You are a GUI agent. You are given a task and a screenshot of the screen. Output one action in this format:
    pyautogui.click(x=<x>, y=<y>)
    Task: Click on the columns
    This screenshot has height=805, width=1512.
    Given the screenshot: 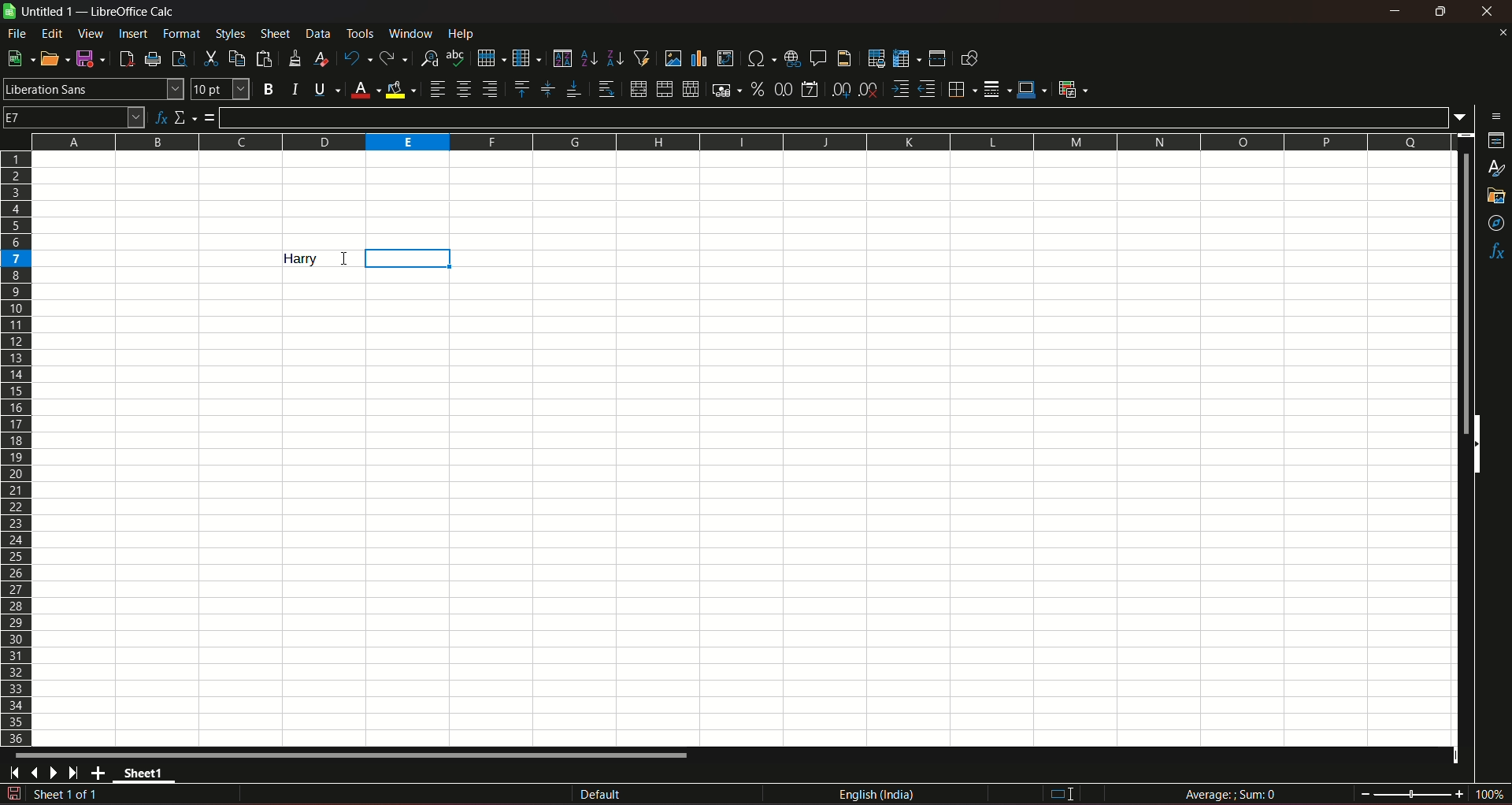 What is the action you would take?
    pyautogui.click(x=738, y=139)
    